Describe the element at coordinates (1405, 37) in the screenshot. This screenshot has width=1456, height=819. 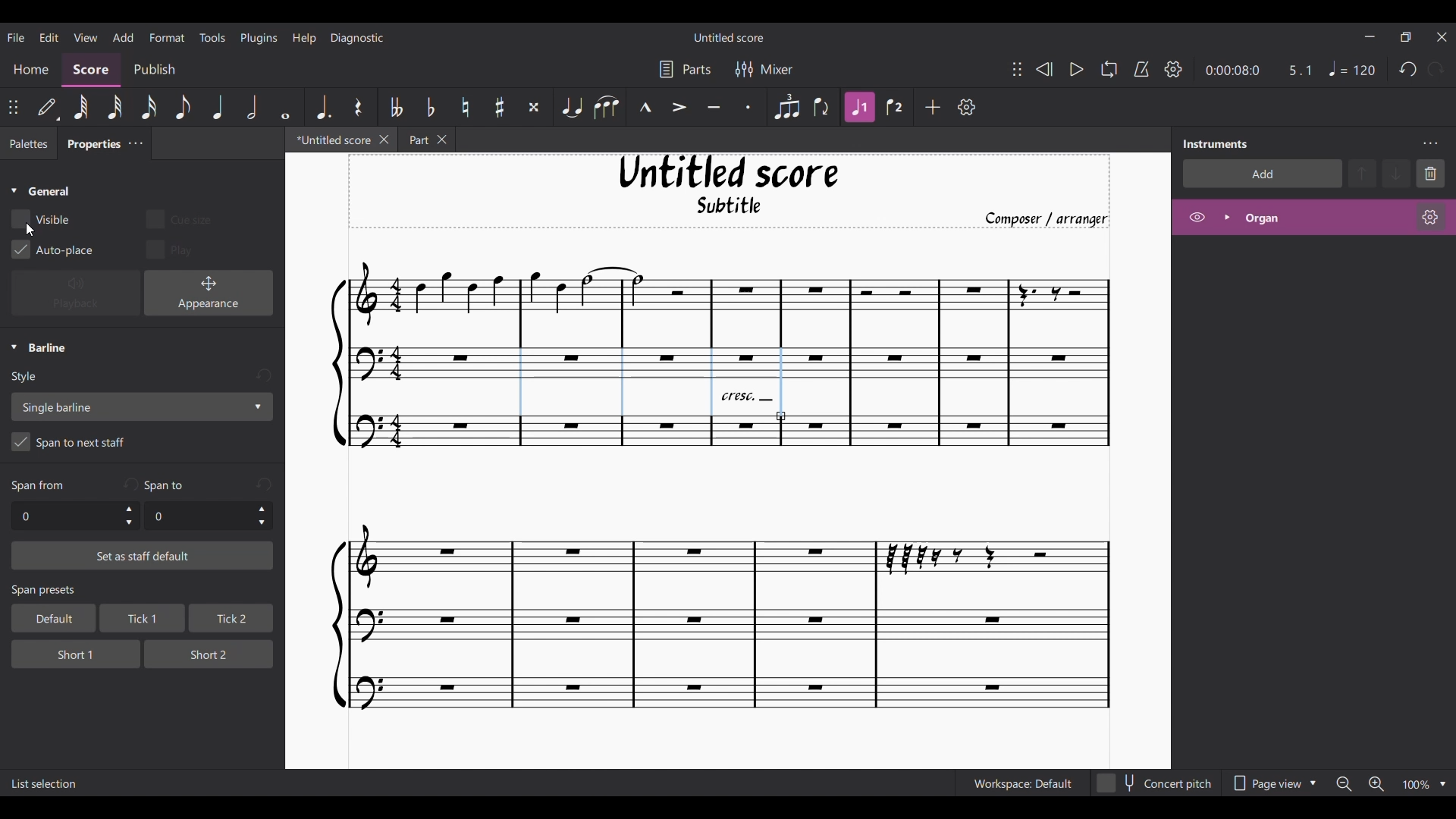
I see `Show interface in a smaller tab` at that location.